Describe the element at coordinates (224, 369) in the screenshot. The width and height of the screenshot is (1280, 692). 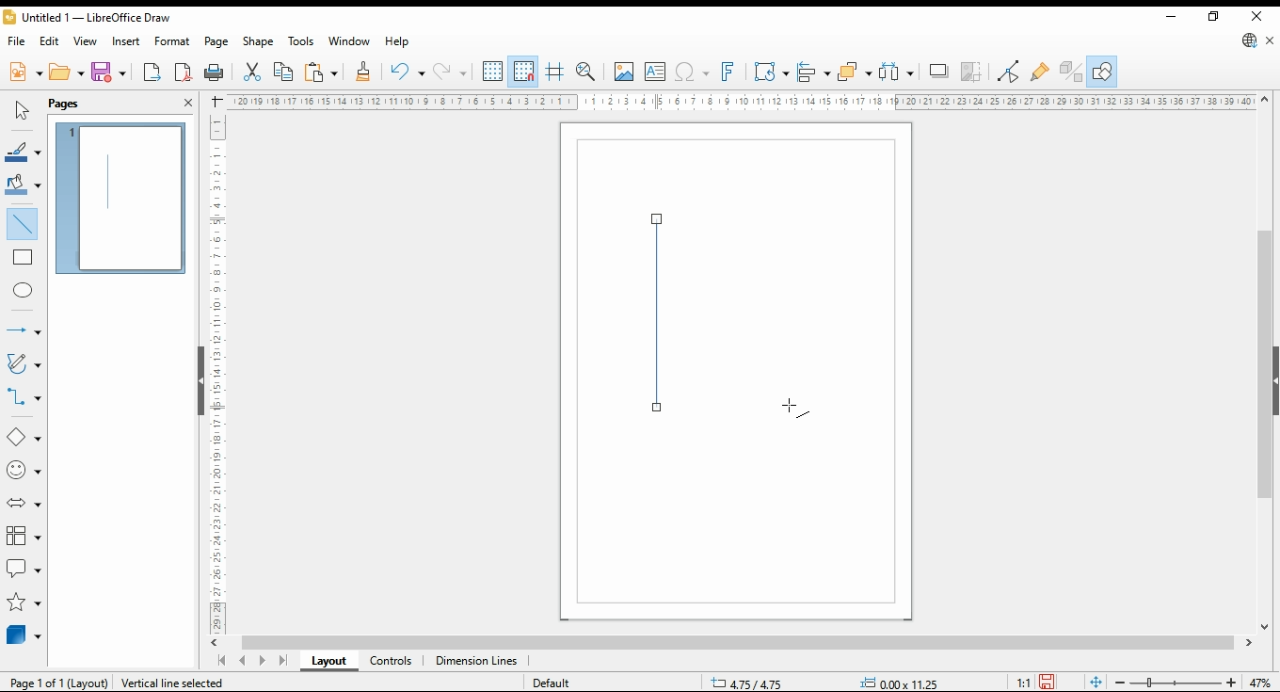
I see `vertical scale` at that location.